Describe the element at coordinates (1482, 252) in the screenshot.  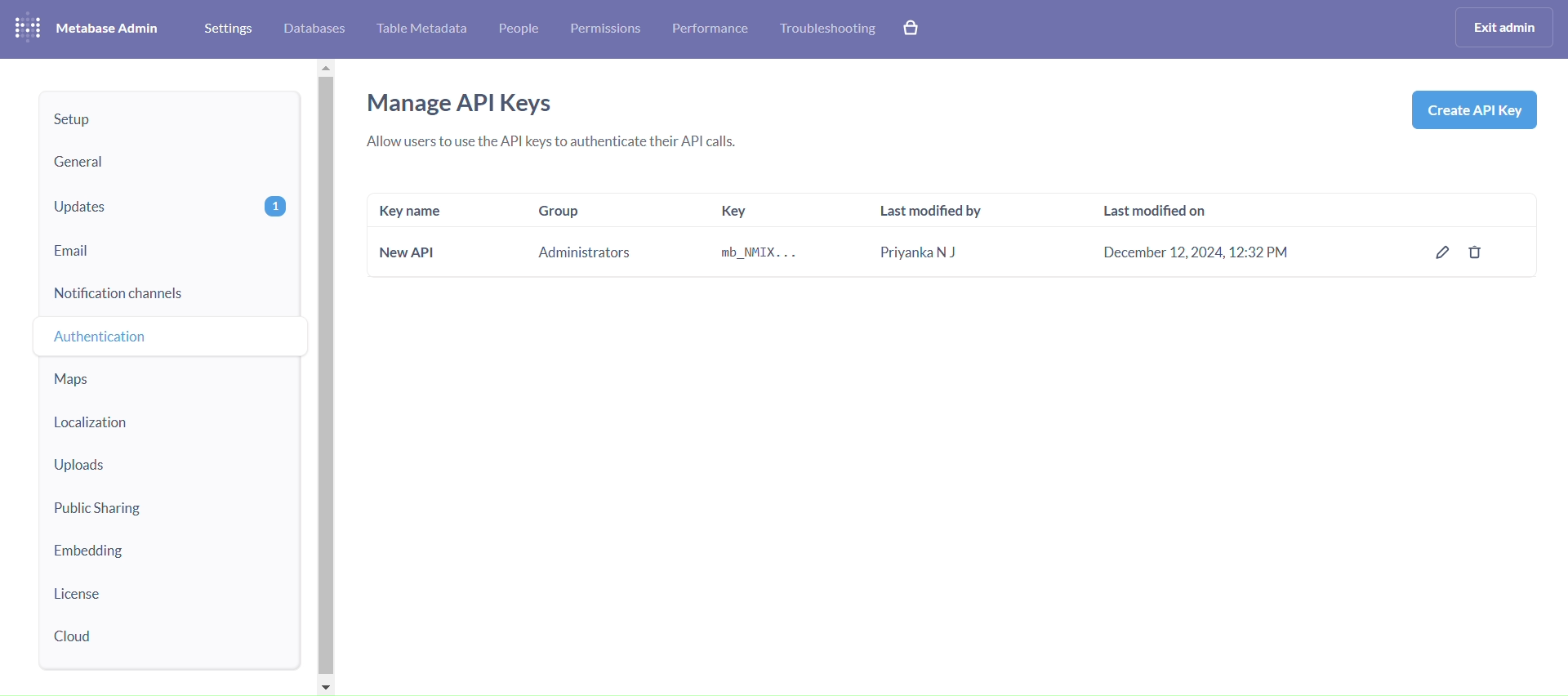
I see `delete` at that location.